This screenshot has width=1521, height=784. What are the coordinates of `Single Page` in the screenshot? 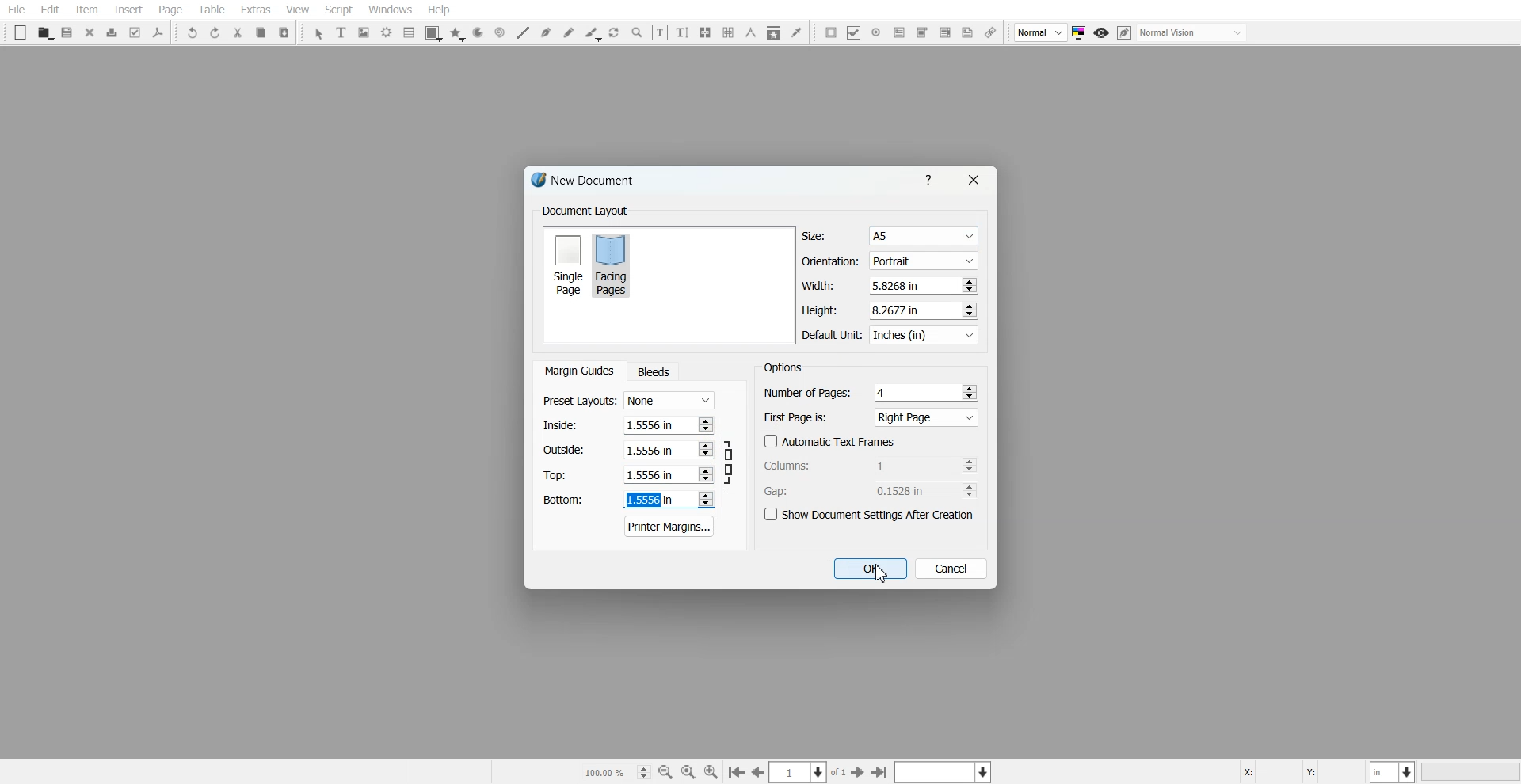 It's located at (567, 264).